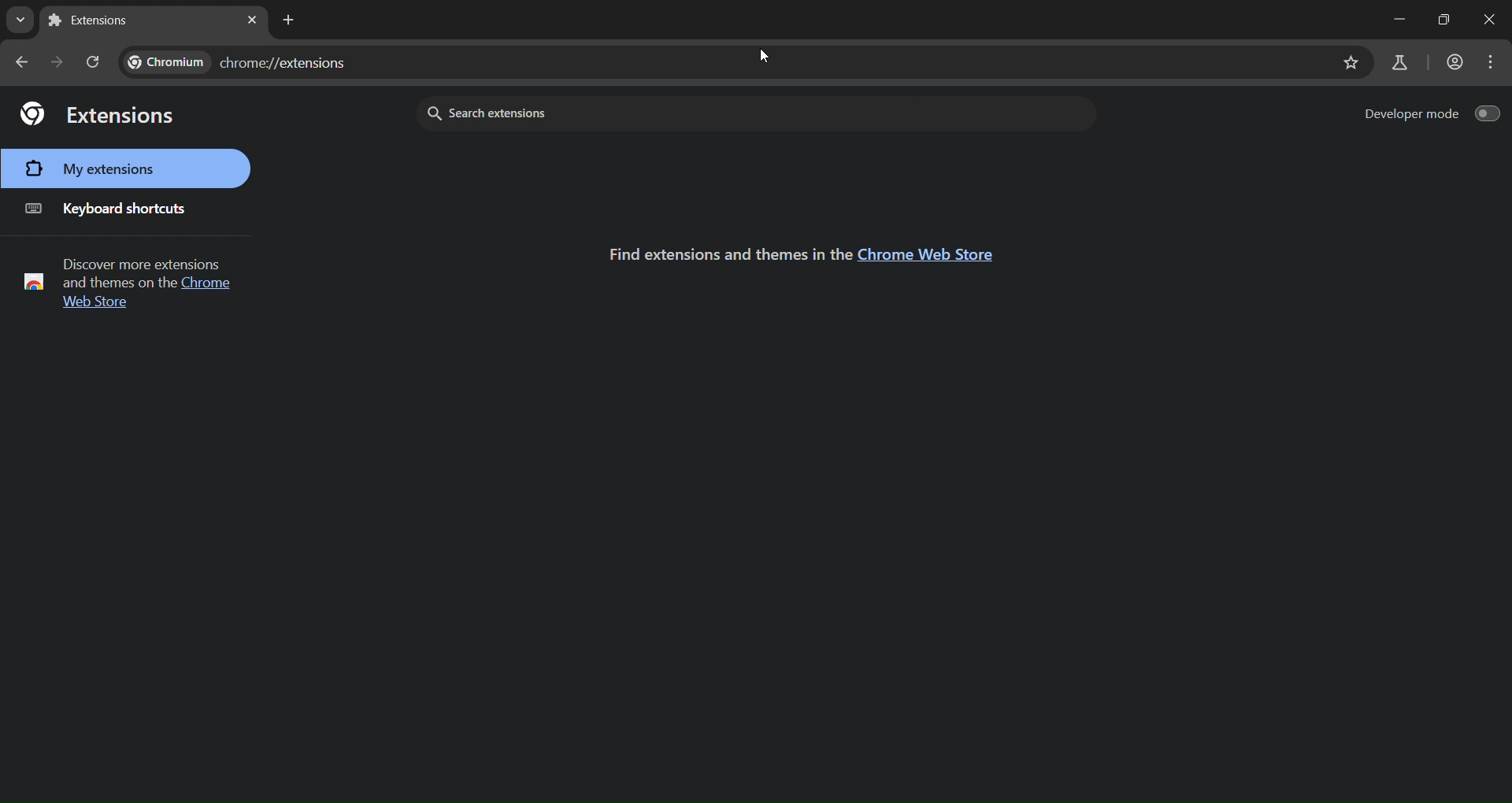 Image resolution: width=1512 pixels, height=803 pixels. I want to click on Chrome Web Store, so click(927, 254).